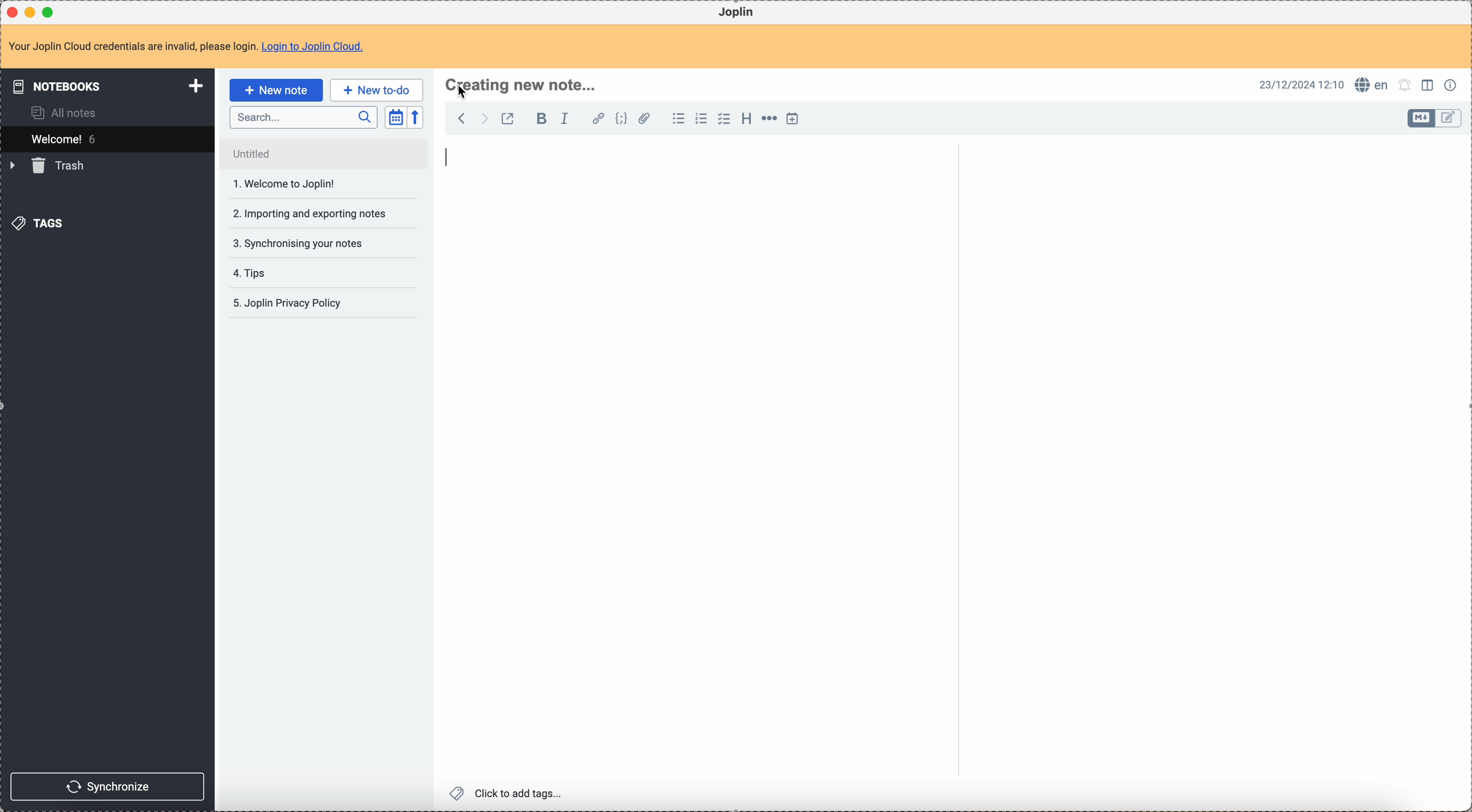  Describe the element at coordinates (49, 11) in the screenshot. I see `maximize` at that location.